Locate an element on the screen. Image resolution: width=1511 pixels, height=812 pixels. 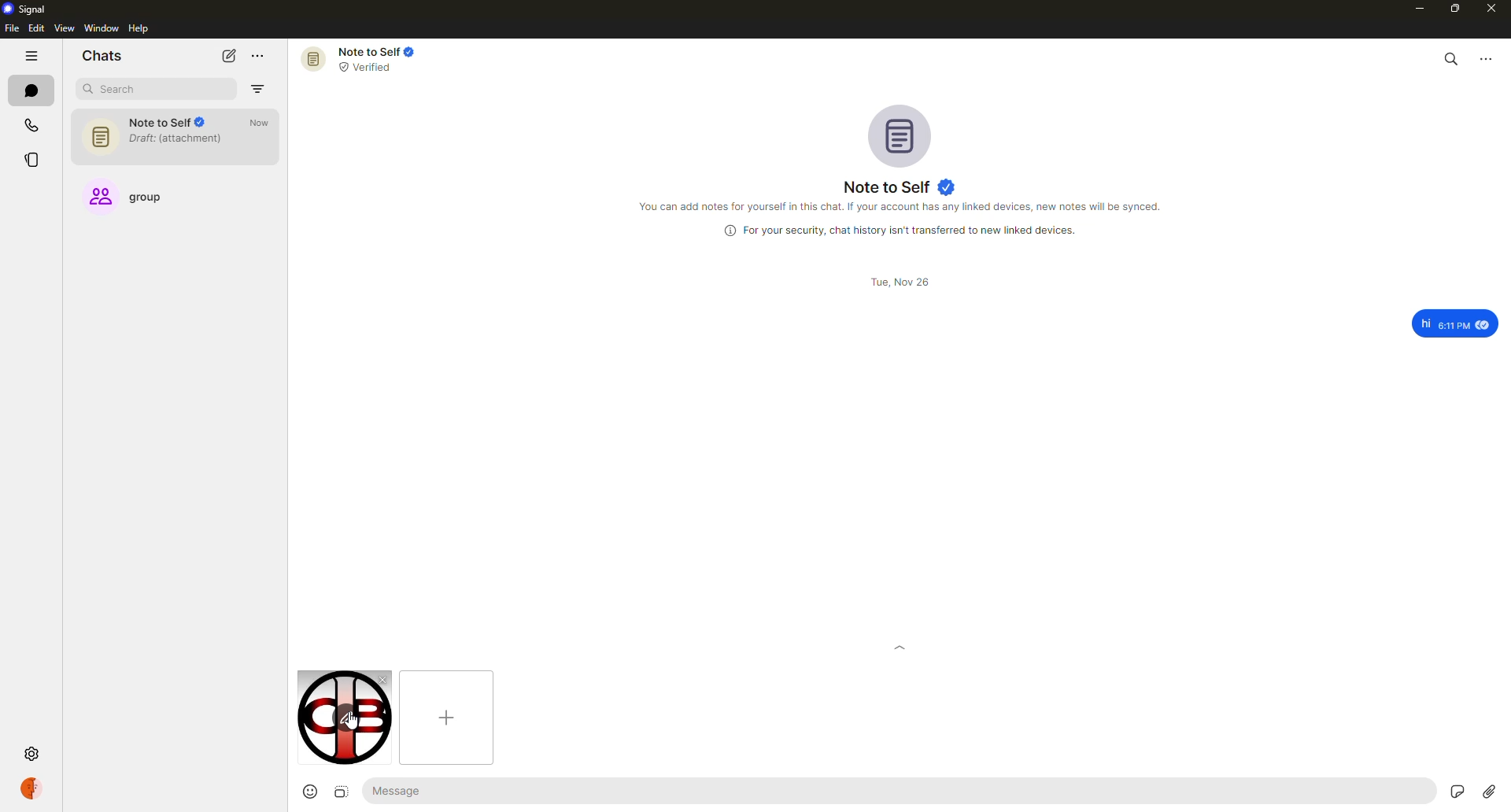
signal is located at coordinates (28, 9).